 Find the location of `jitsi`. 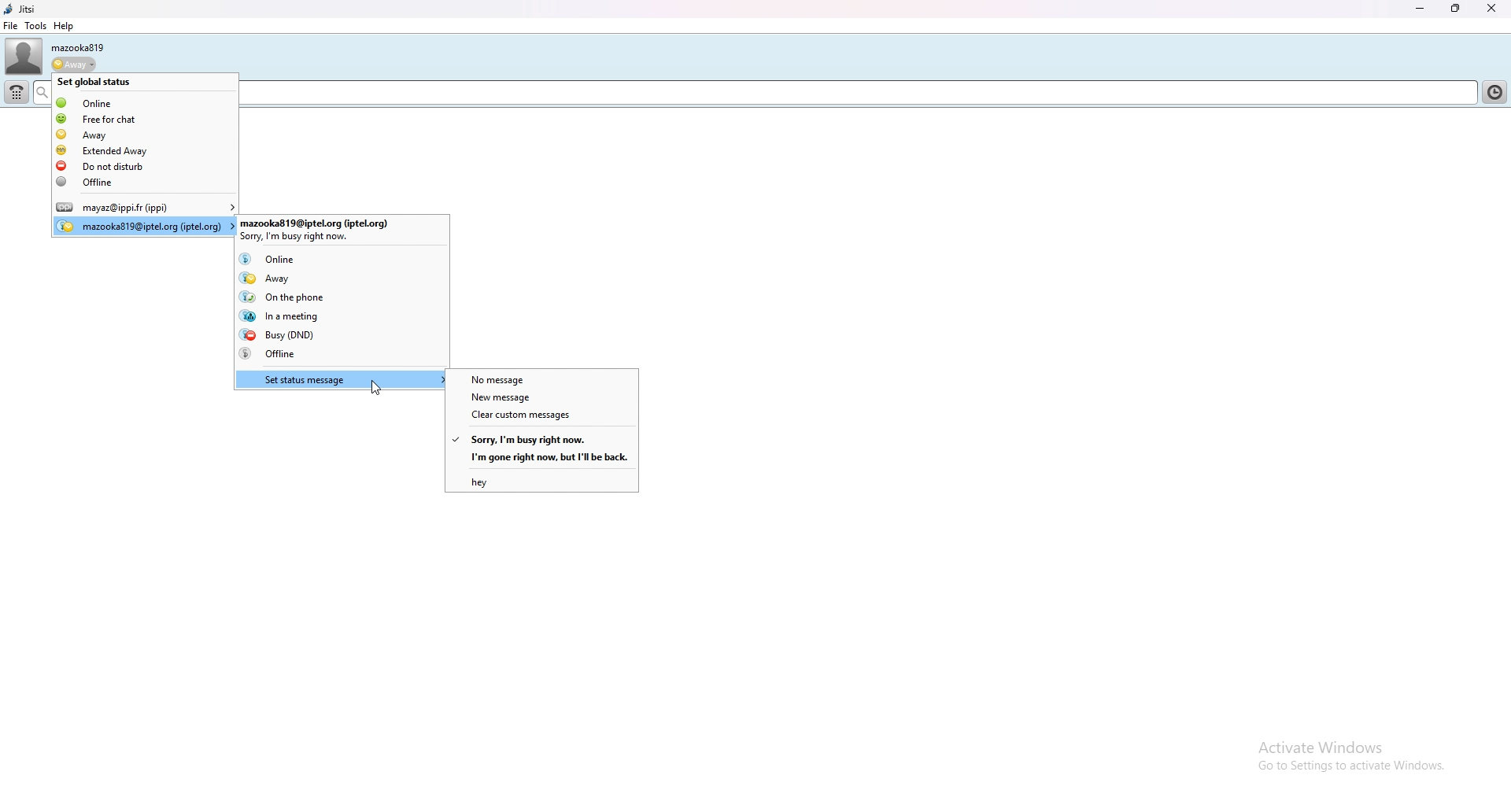

jitsi is located at coordinates (20, 9).